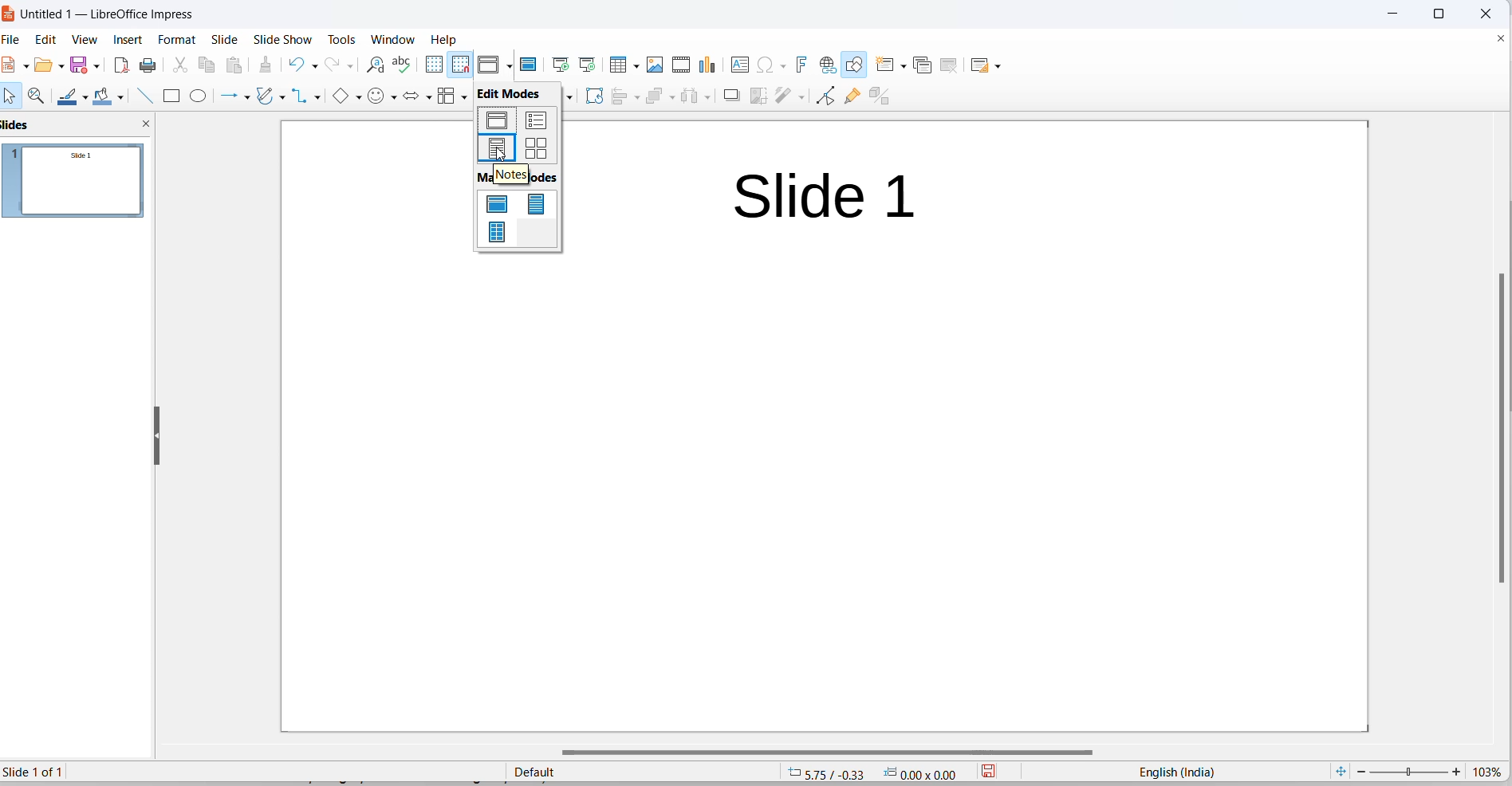  I want to click on display views icons, so click(490, 65).